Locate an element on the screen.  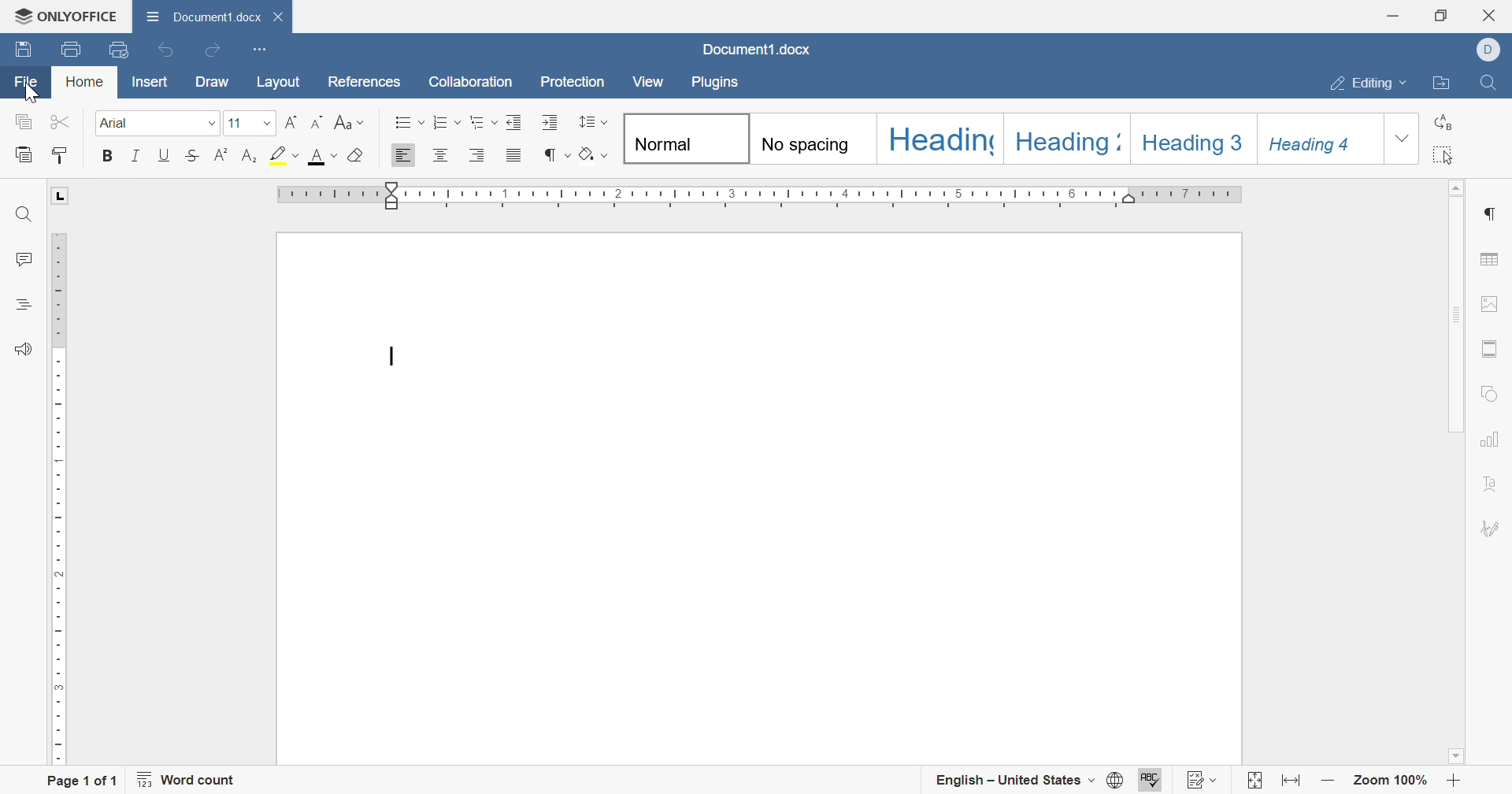
signature settings is located at coordinates (1492, 529).